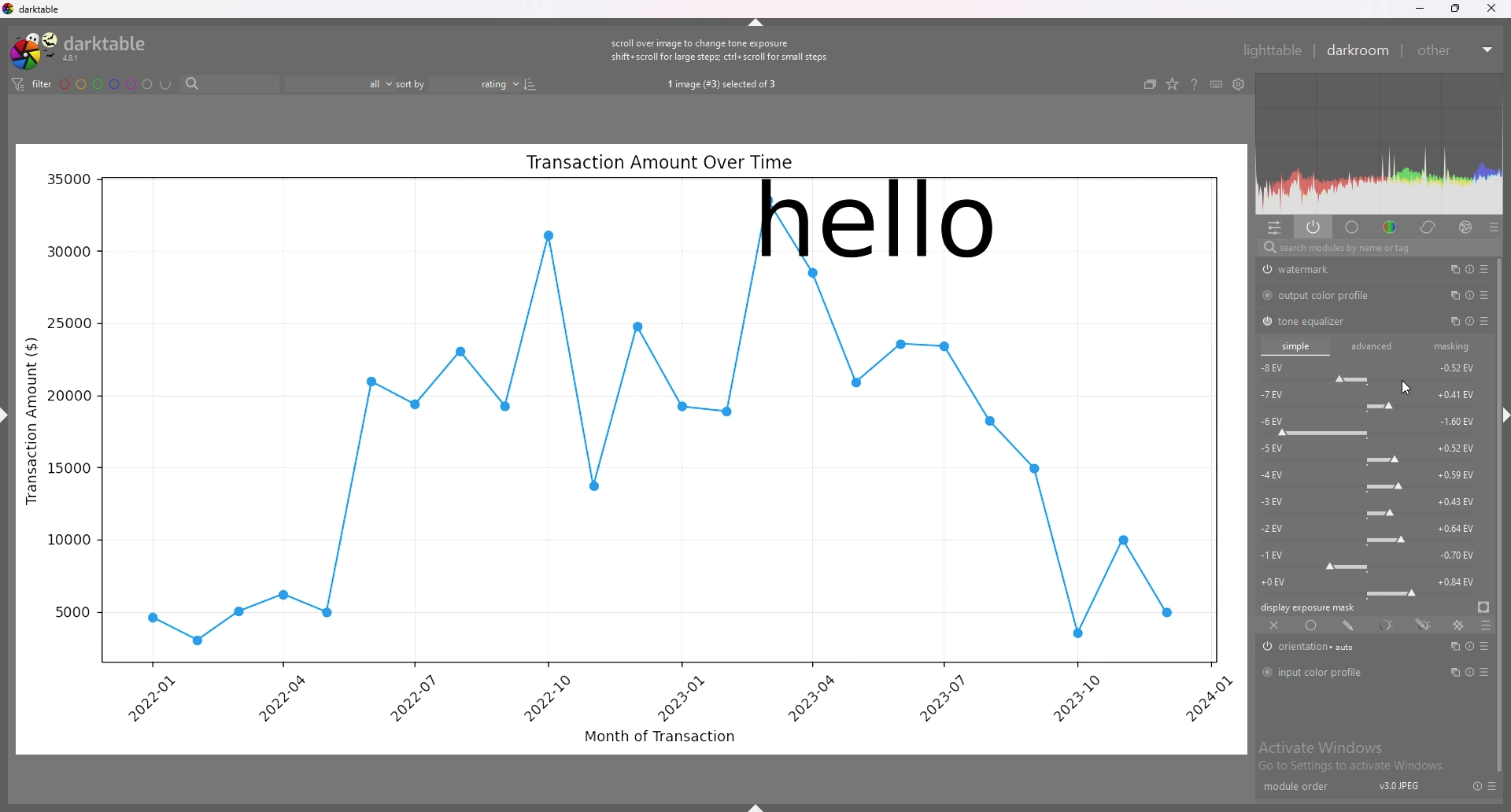  Describe the element at coordinates (1391, 227) in the screenshot. I see `color` at that location.